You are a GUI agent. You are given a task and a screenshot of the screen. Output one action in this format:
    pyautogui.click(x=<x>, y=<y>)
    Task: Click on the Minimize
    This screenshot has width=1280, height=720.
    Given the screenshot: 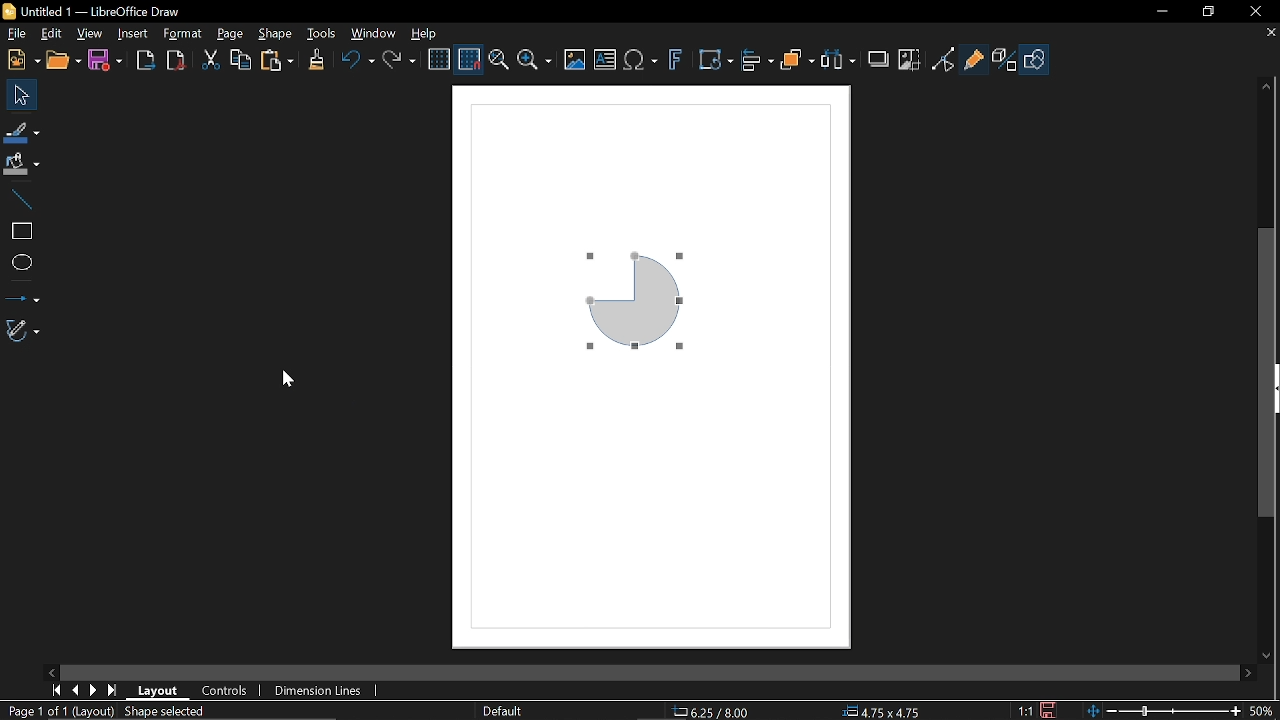 What is the action you would take?
    pyautogui.click(x=1163, y=12)
    